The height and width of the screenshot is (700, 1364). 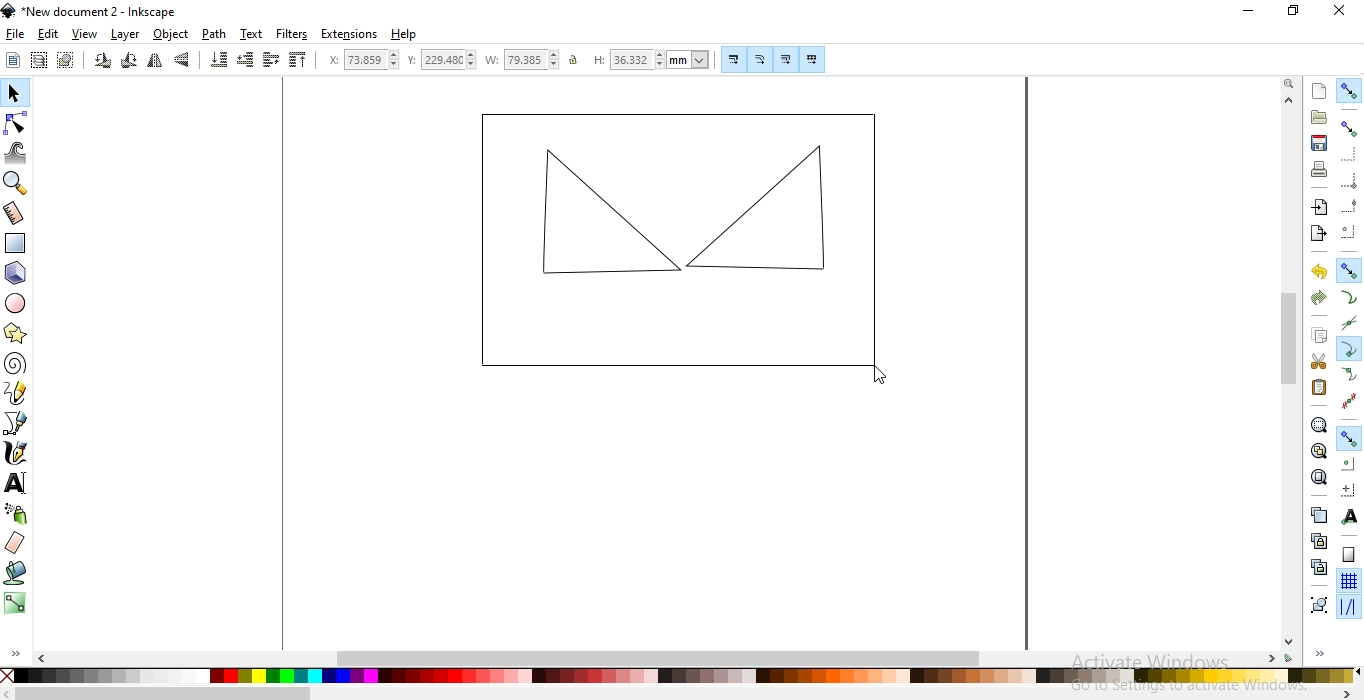 I want to click on snap bounding box corners, so click(x=1349, y=180).